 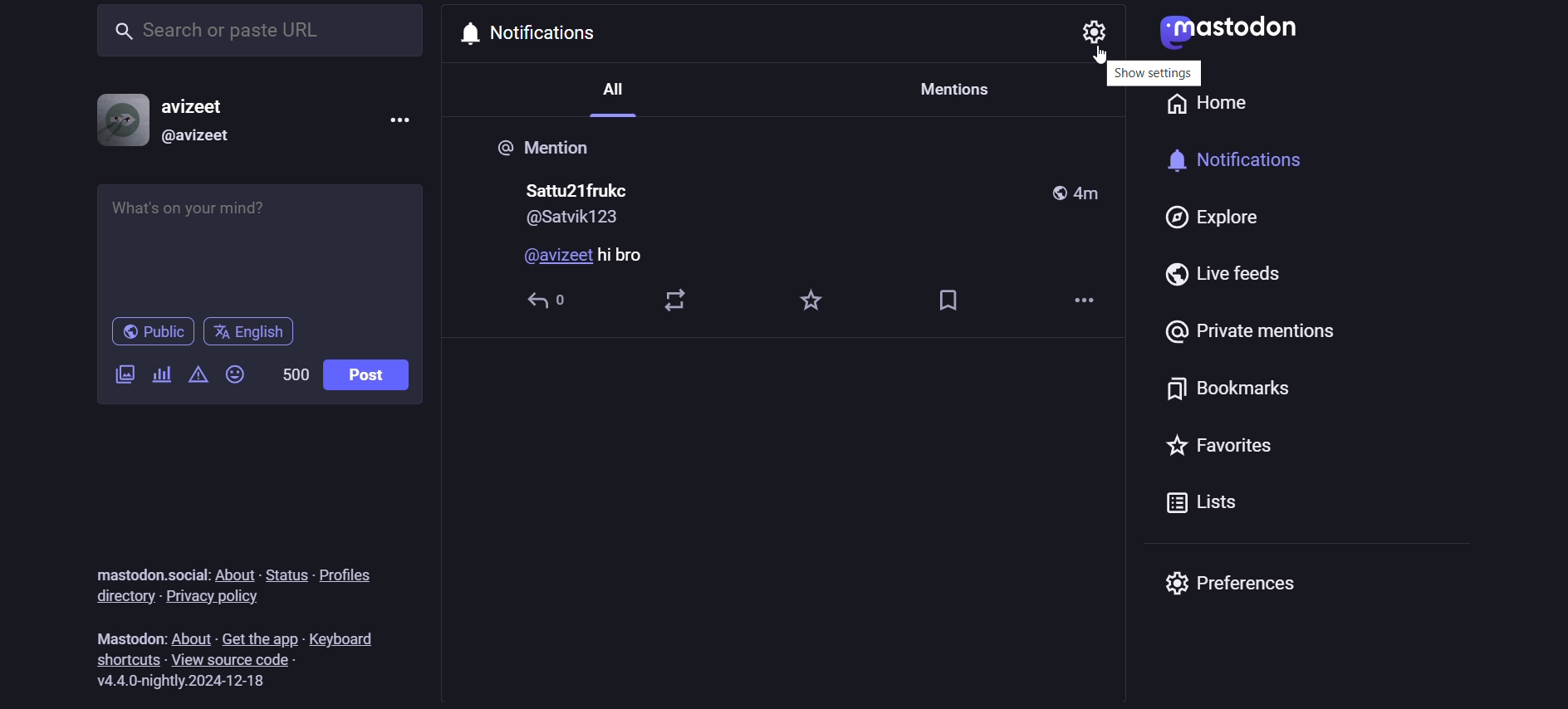 I want to click on @Mention, so click(x=549, y=150).